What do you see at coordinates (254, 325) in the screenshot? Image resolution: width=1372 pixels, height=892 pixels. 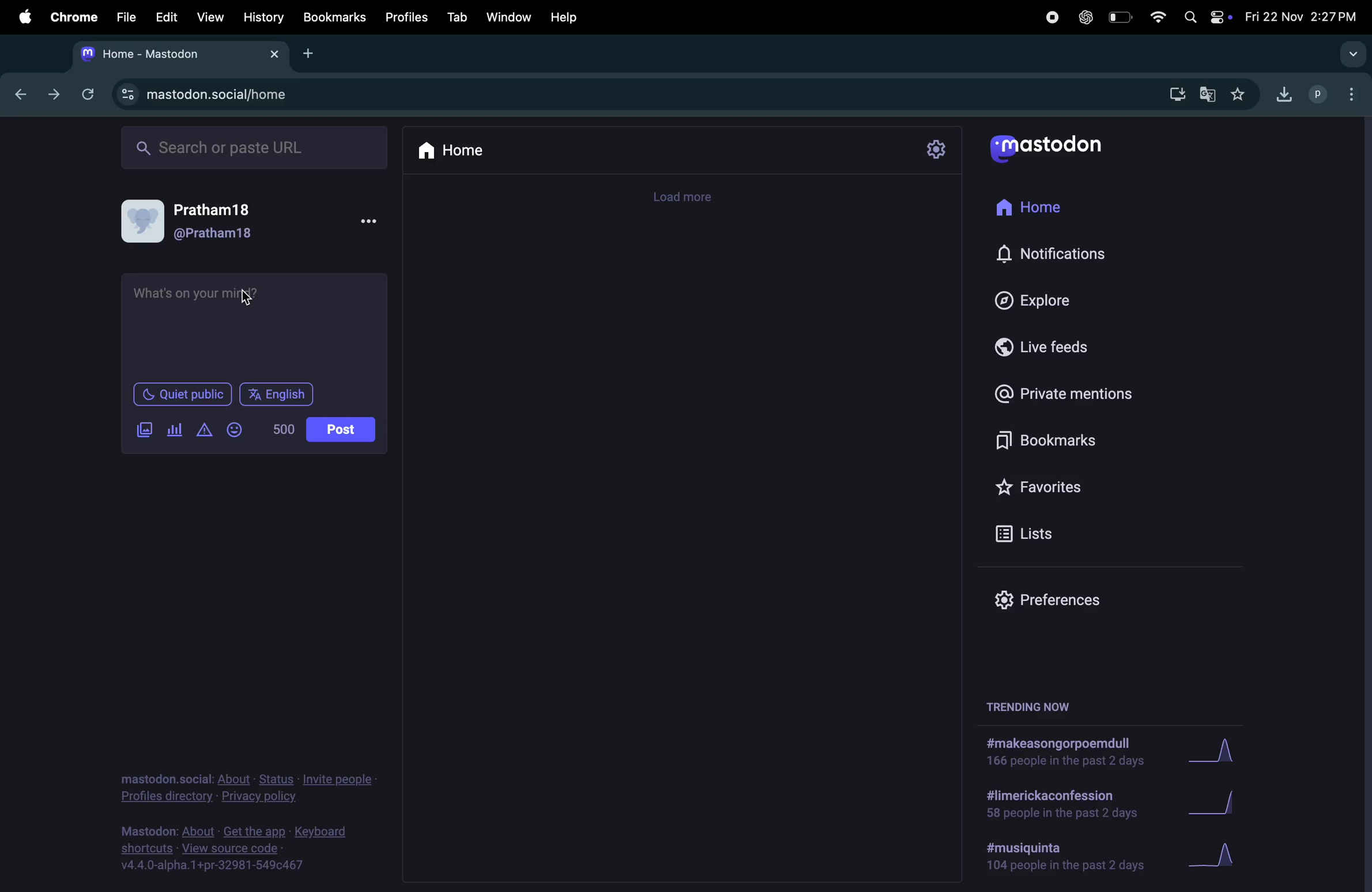 I see `textbox` at bounding box center [254, 325].